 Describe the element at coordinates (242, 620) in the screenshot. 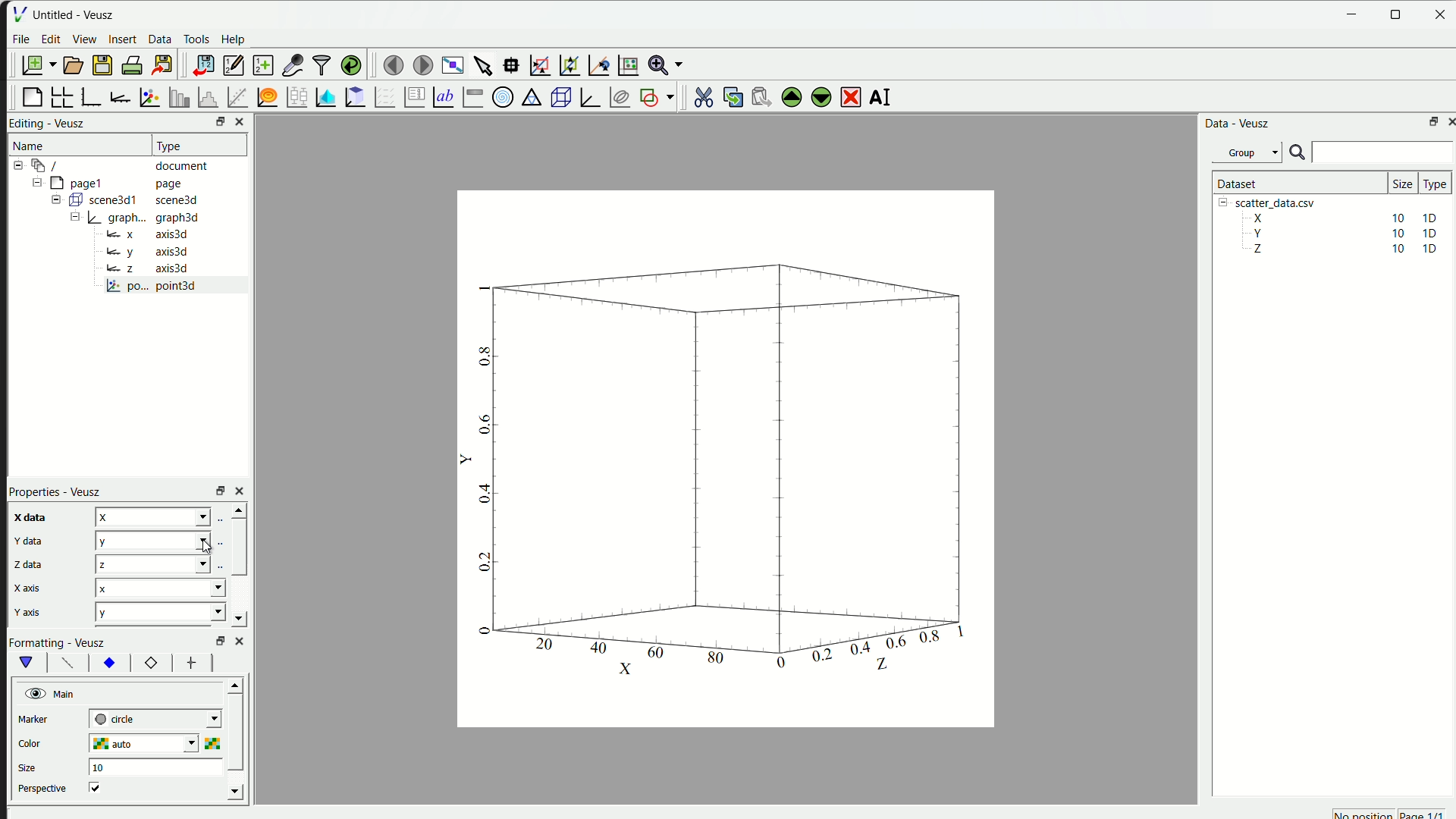

I see `down` at that location.